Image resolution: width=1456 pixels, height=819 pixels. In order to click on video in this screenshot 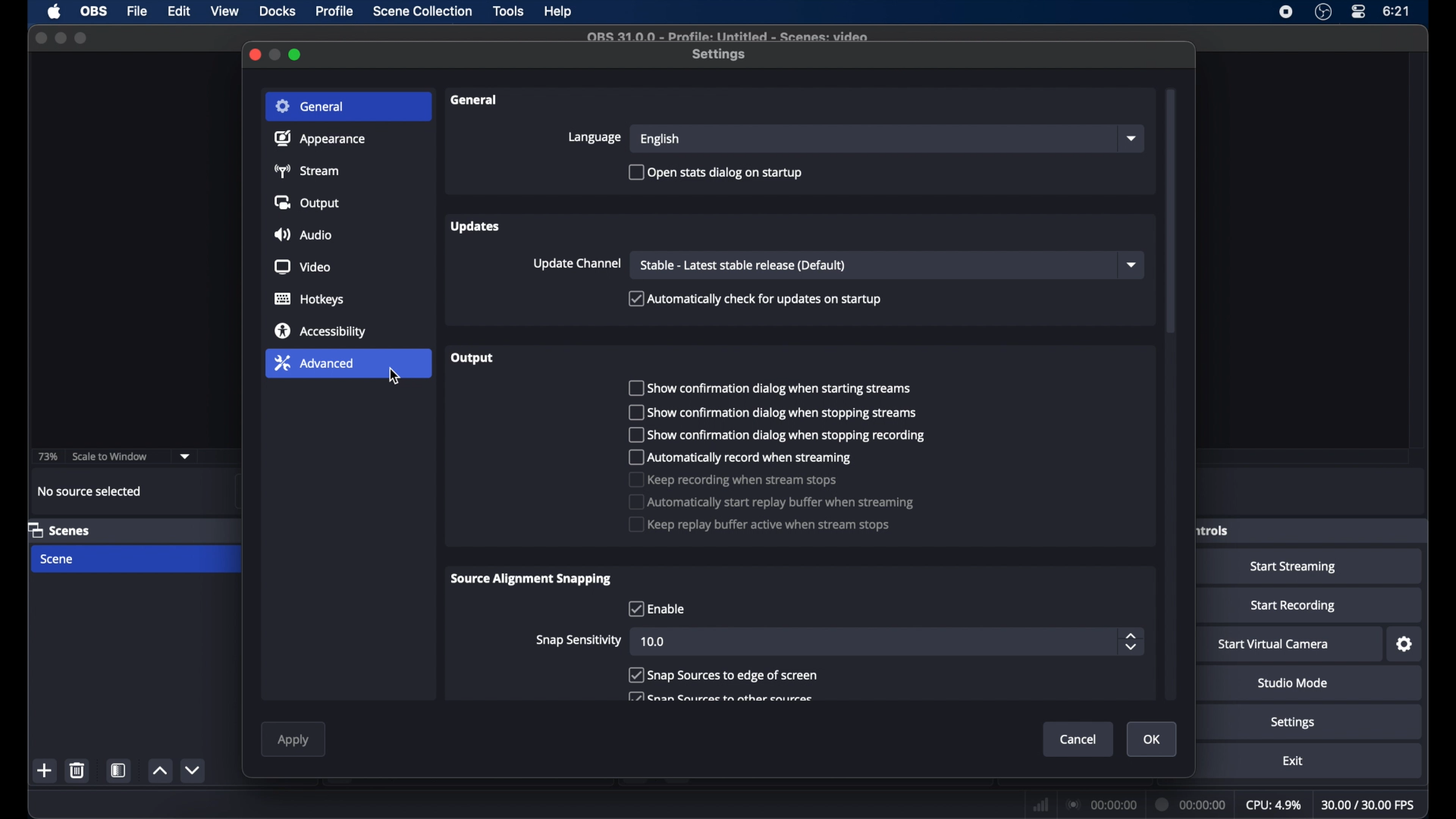, I will do `click(302, 267)`.